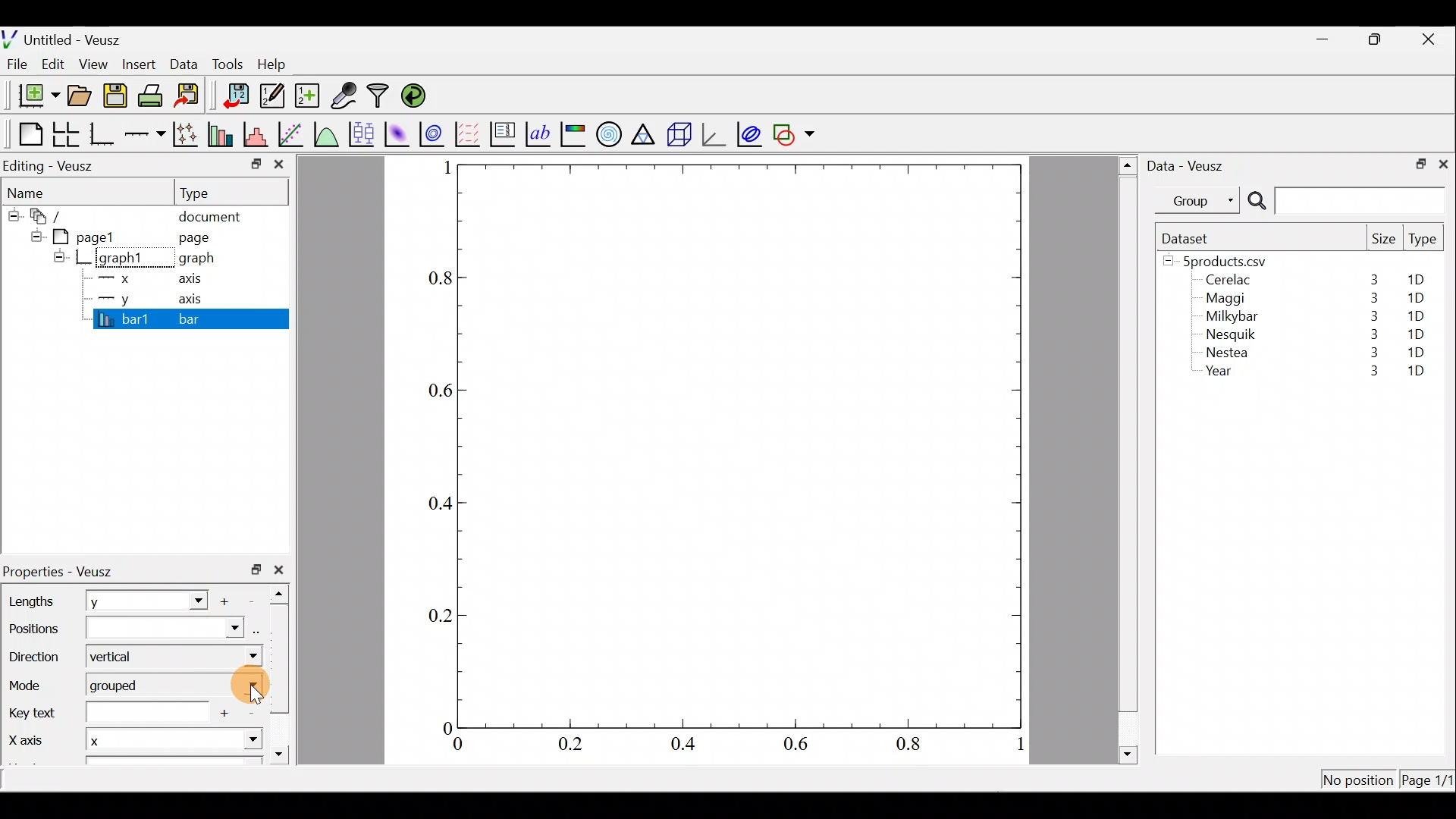 The image size is (1456, 819). I want to click on 0.6, so click(437, 391).